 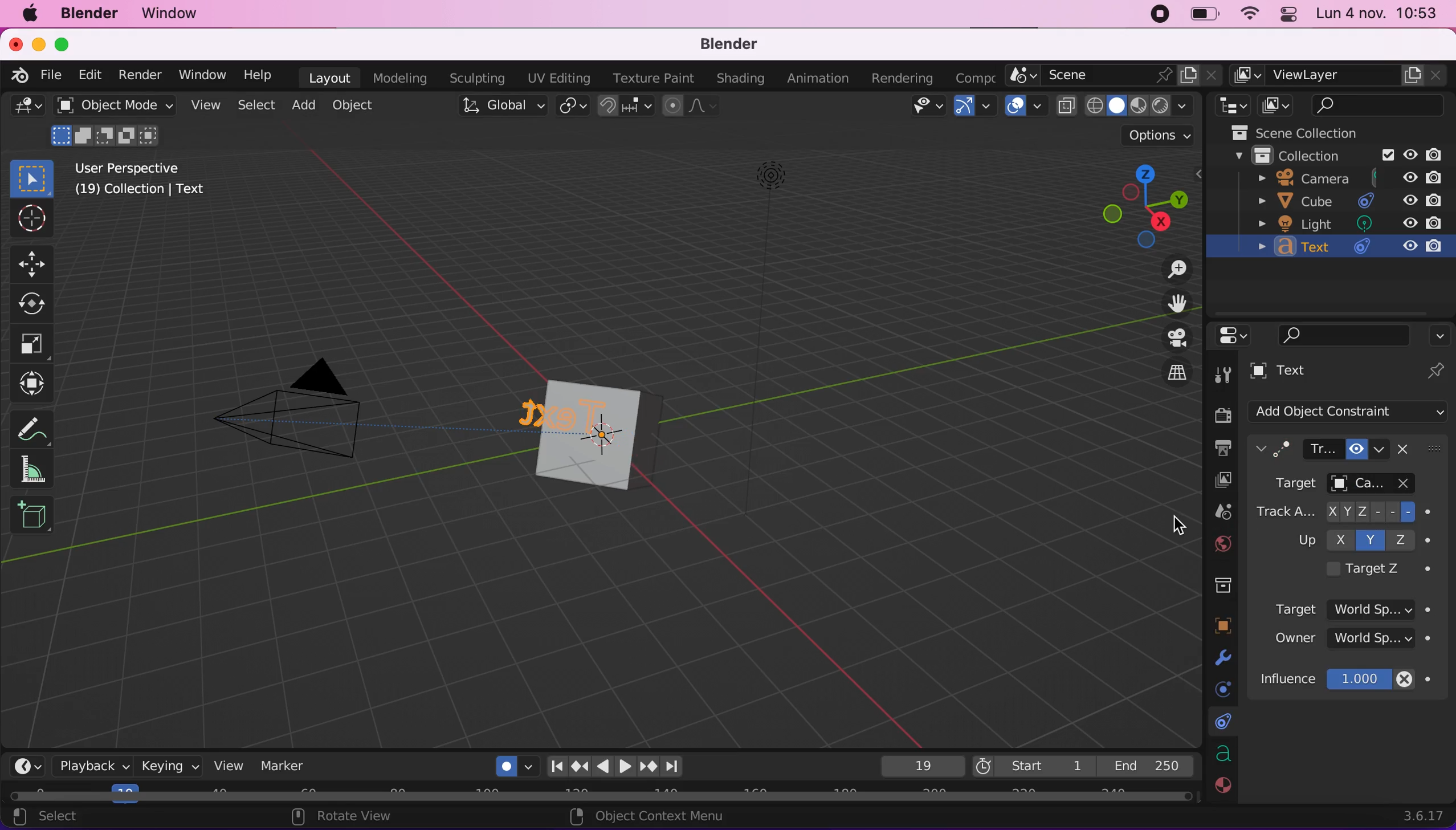 I want to click on panel control, so click(x=1286, y=15).